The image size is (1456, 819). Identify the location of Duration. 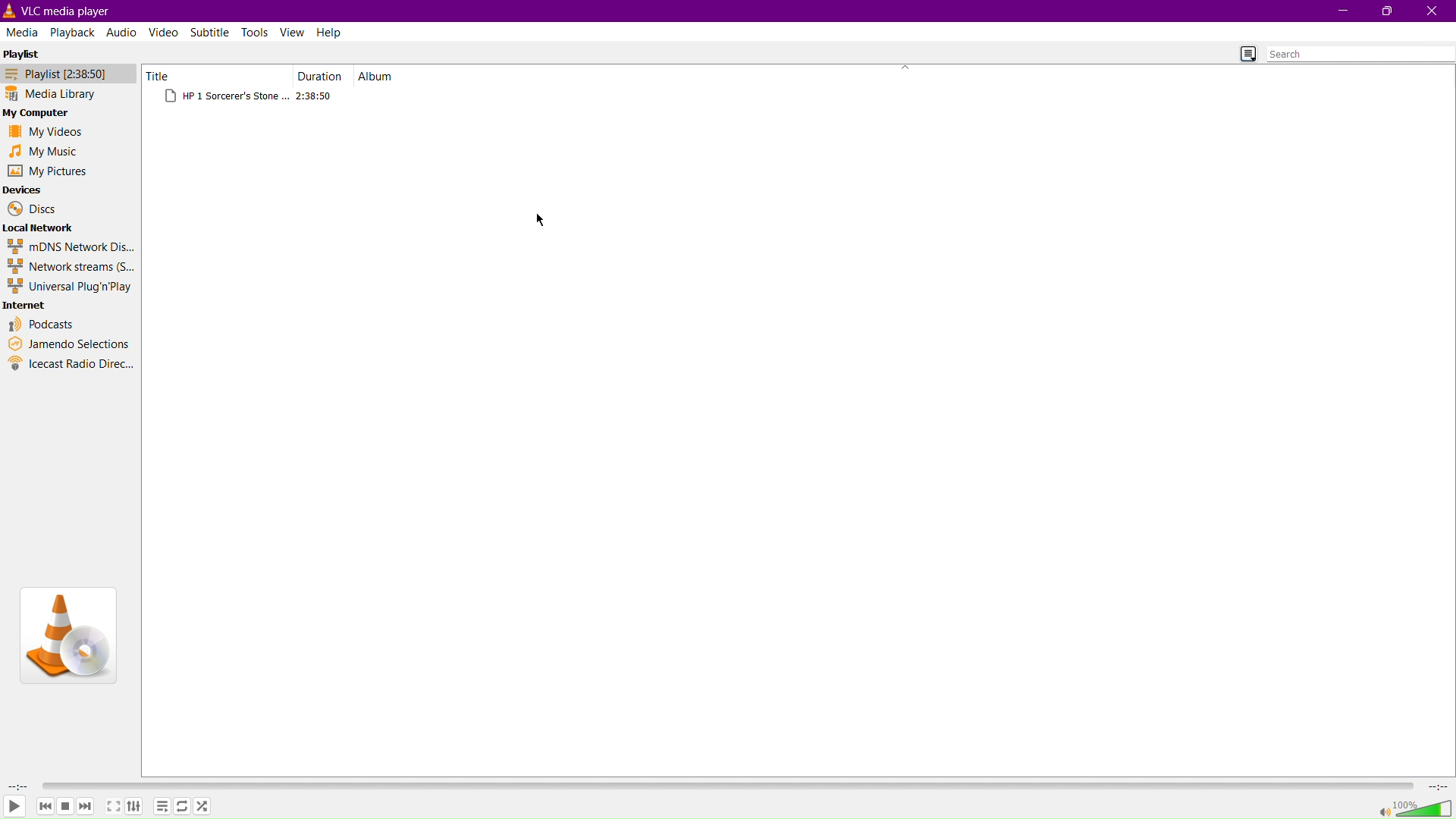
(321, 76).